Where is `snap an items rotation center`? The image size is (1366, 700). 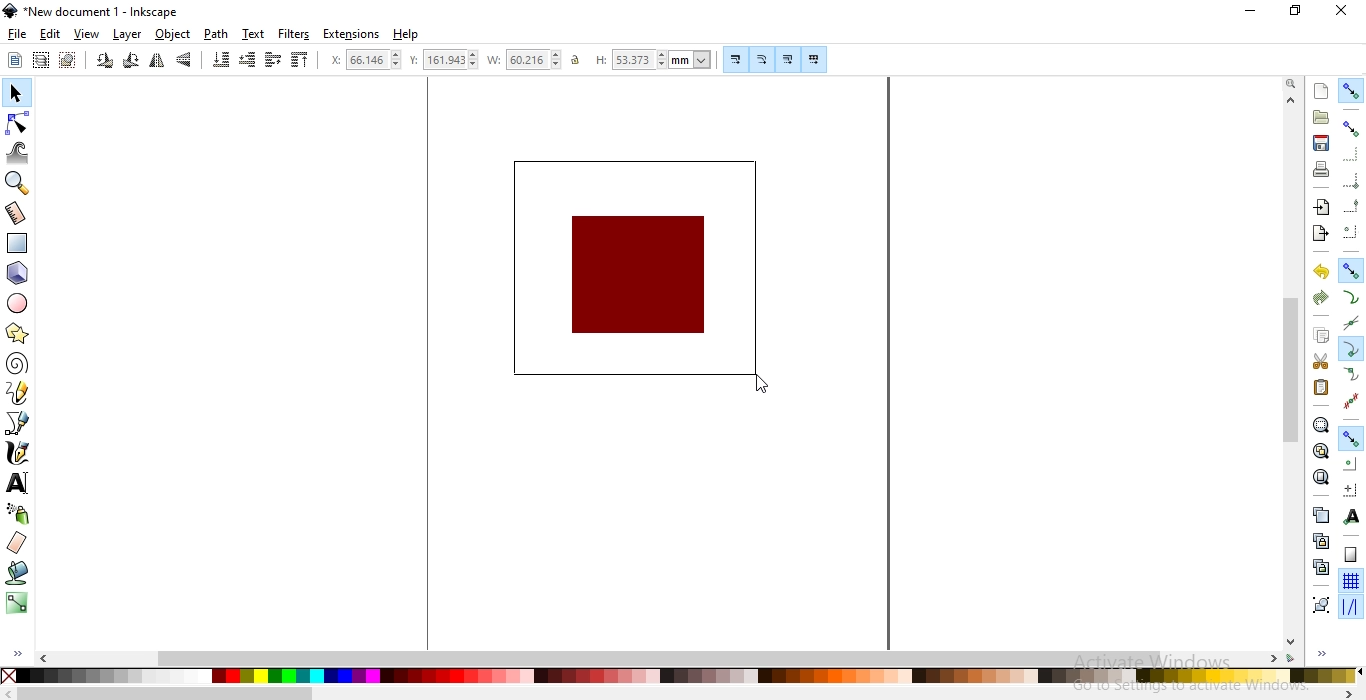
snap an items rotation center is located at coordinates (1349, 487).